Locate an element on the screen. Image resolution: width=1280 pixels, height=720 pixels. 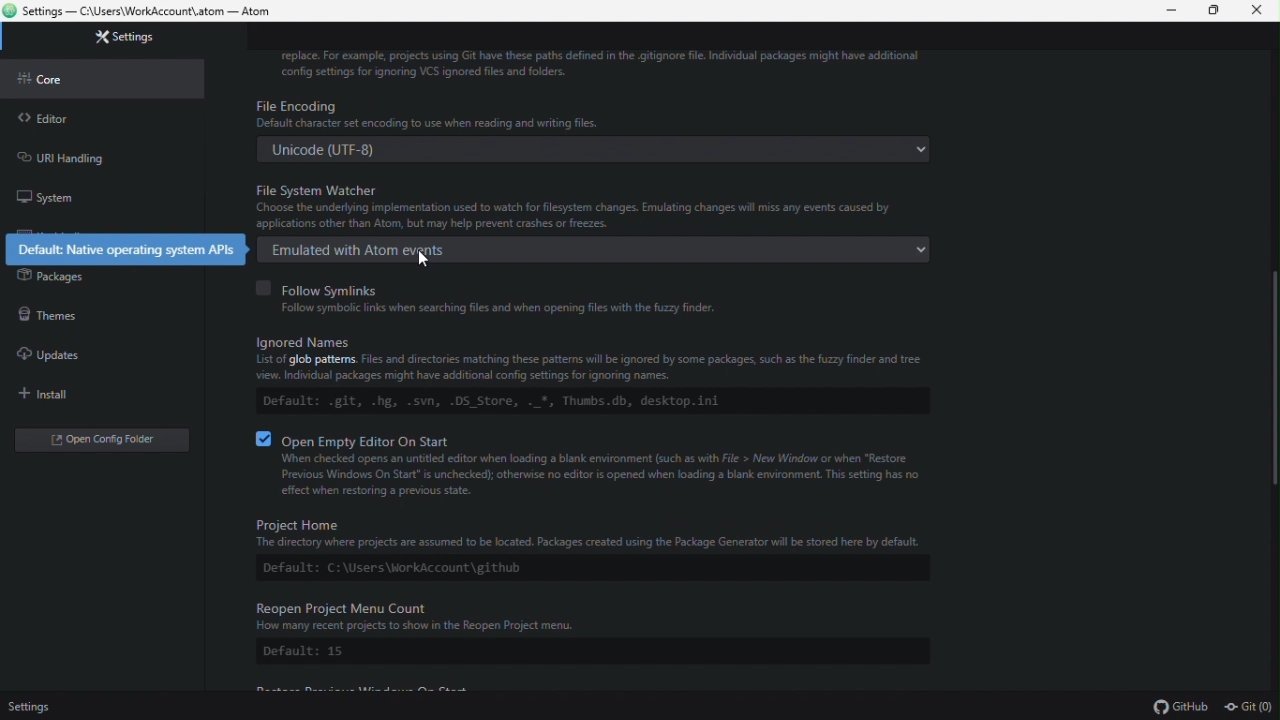
Ignored Names Files and directories matching these patterns will be ignored by some packages, such 35 the fuzzy finder and tree view. Individual packages might have additional config settings for ignoring names. is located at coordinates (577, 354).